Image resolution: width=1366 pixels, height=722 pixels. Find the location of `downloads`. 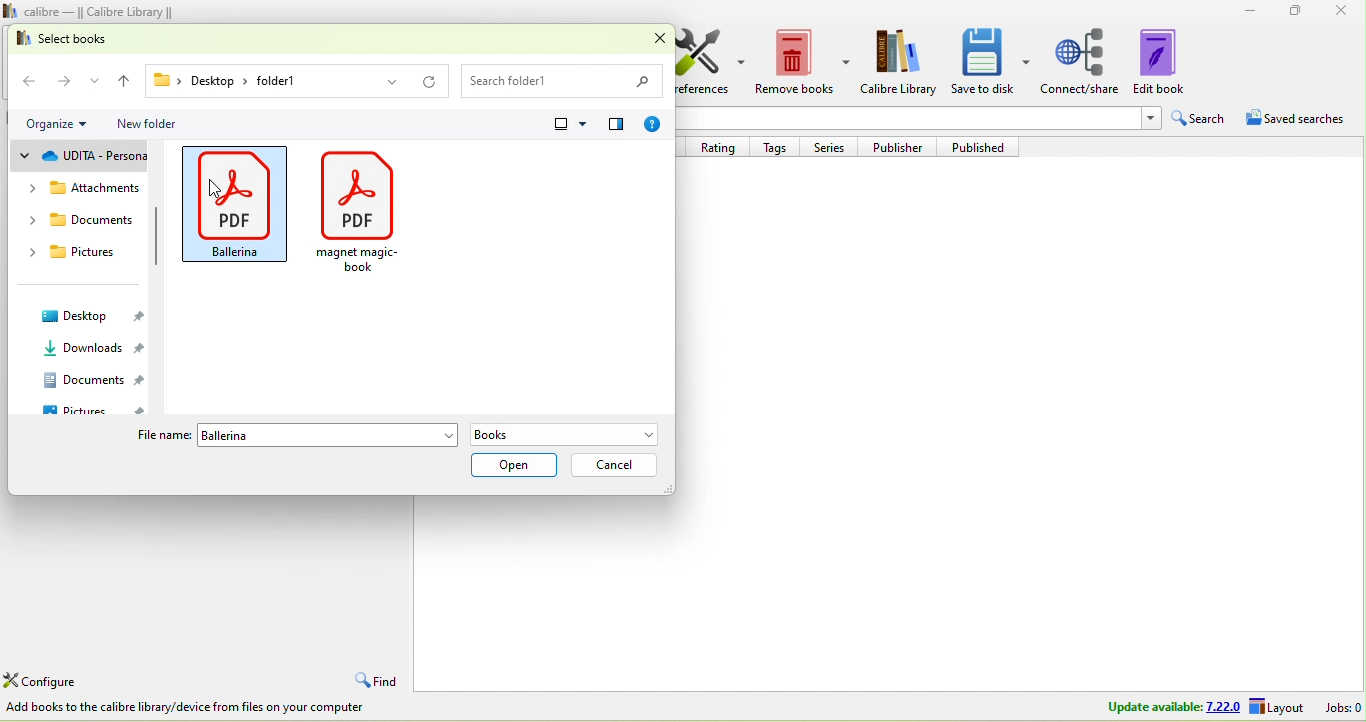

downloads is located at coordinates (84, 349).